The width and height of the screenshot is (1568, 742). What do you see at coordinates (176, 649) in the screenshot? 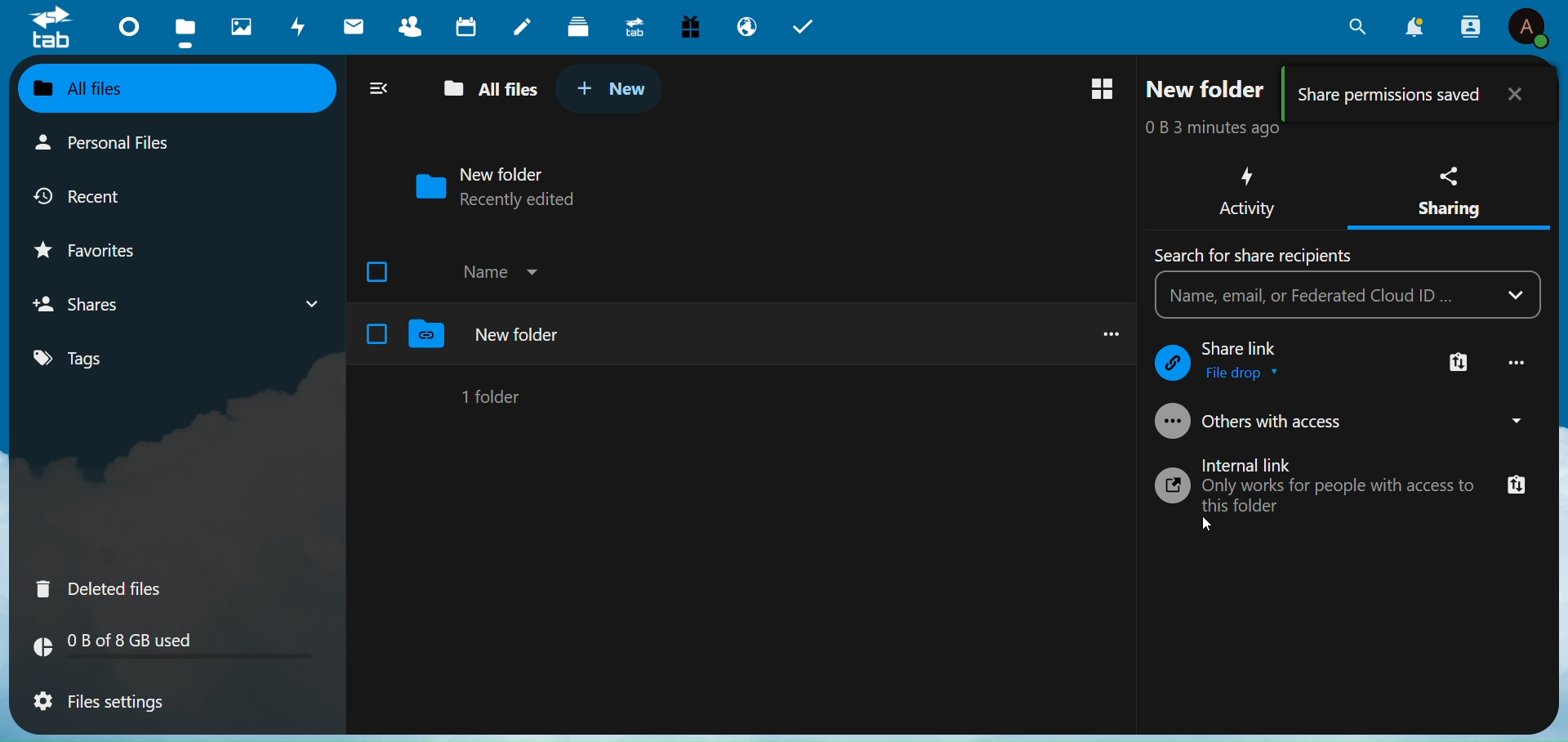
I see `GB Used` at bounding box center [176, 649].